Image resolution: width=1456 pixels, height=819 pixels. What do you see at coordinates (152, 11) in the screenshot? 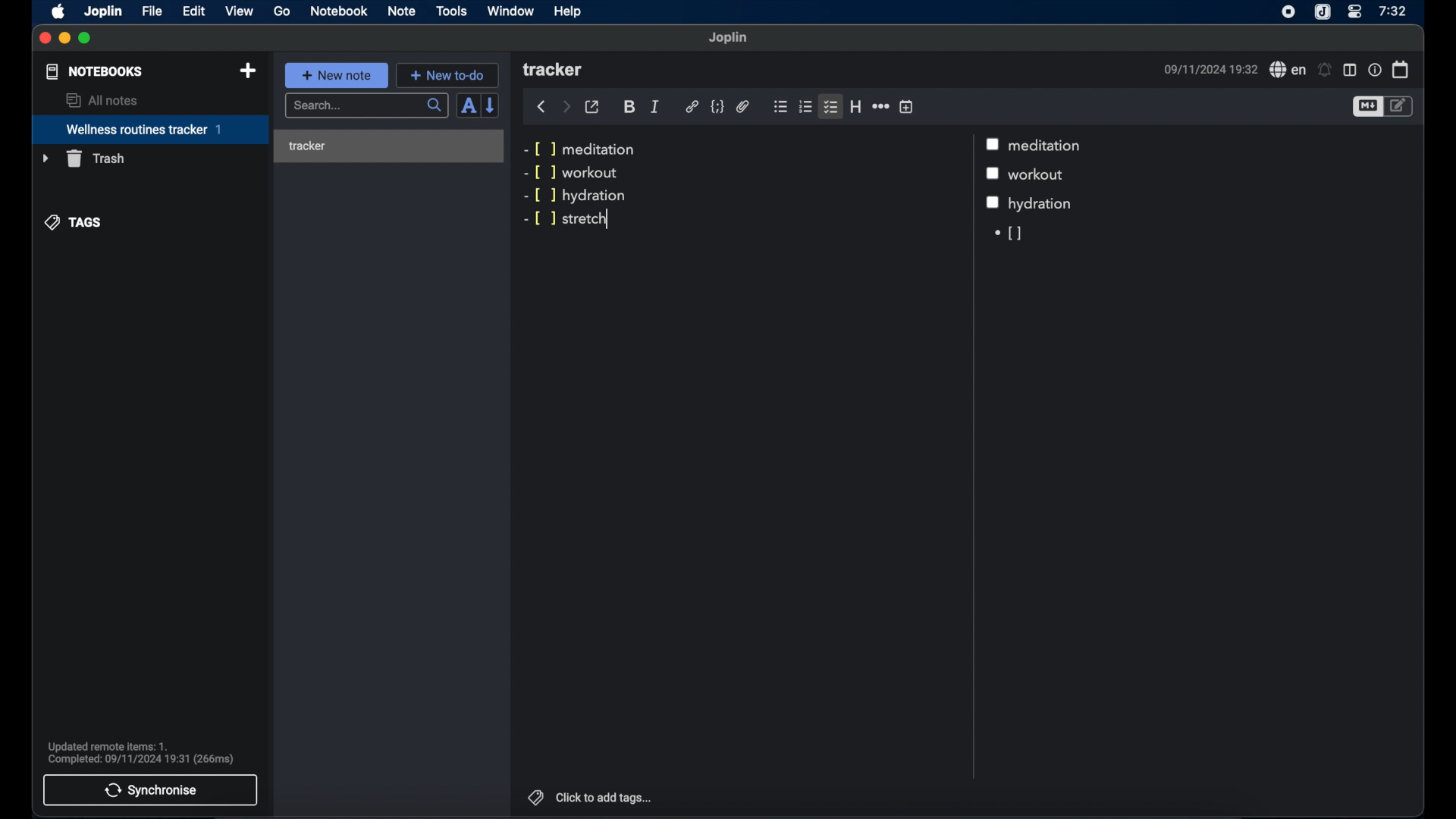
I see `file` at bounding box center [152, 11].